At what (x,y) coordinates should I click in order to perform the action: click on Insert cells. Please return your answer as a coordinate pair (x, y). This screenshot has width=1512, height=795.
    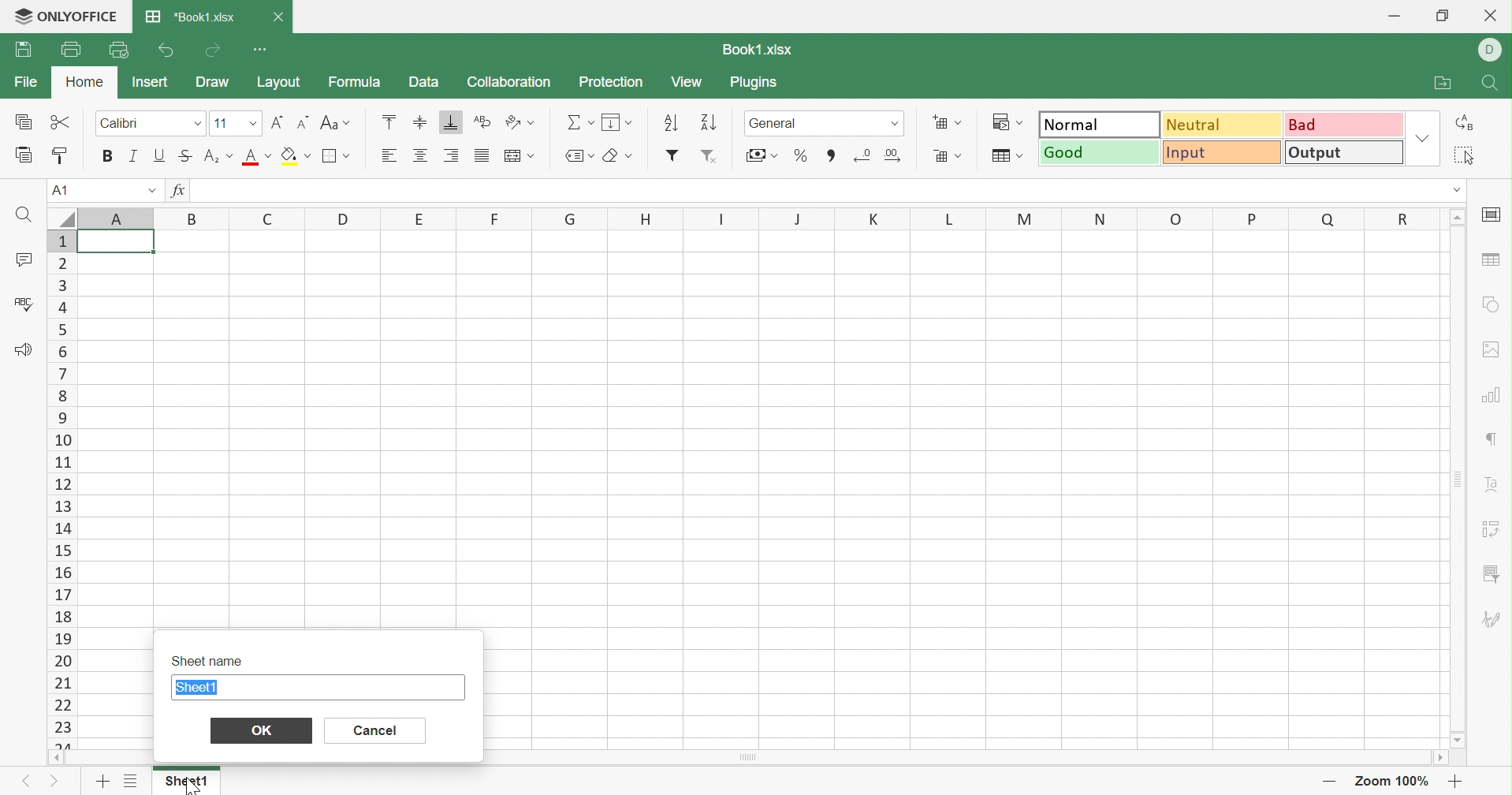
    Looking at the image, I should click on (948, 121).